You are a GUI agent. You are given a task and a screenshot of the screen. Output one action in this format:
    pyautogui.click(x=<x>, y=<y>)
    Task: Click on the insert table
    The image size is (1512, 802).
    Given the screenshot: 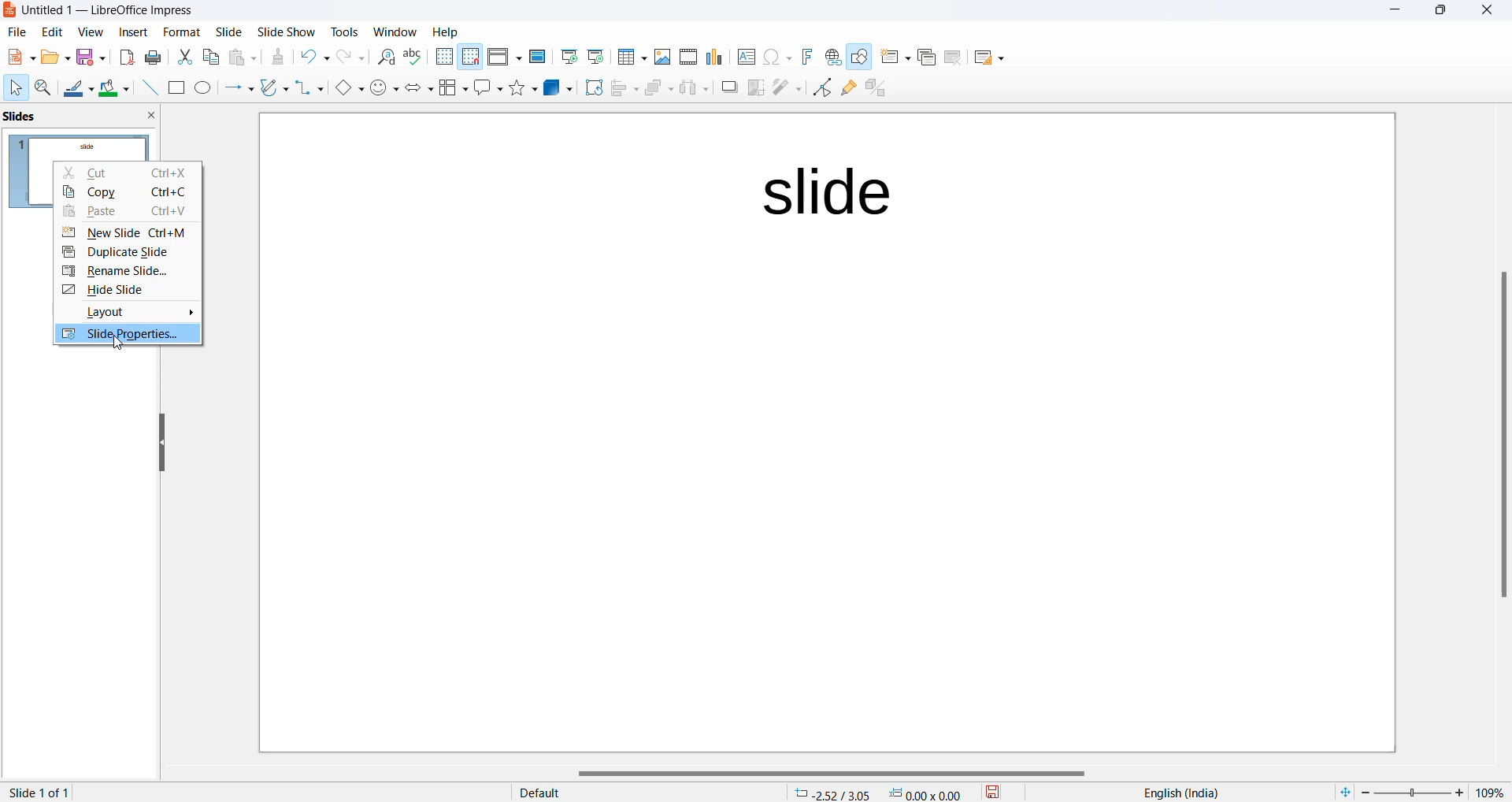 What is the action you would take?
    pyautogui.click(x=631, y=57)
    